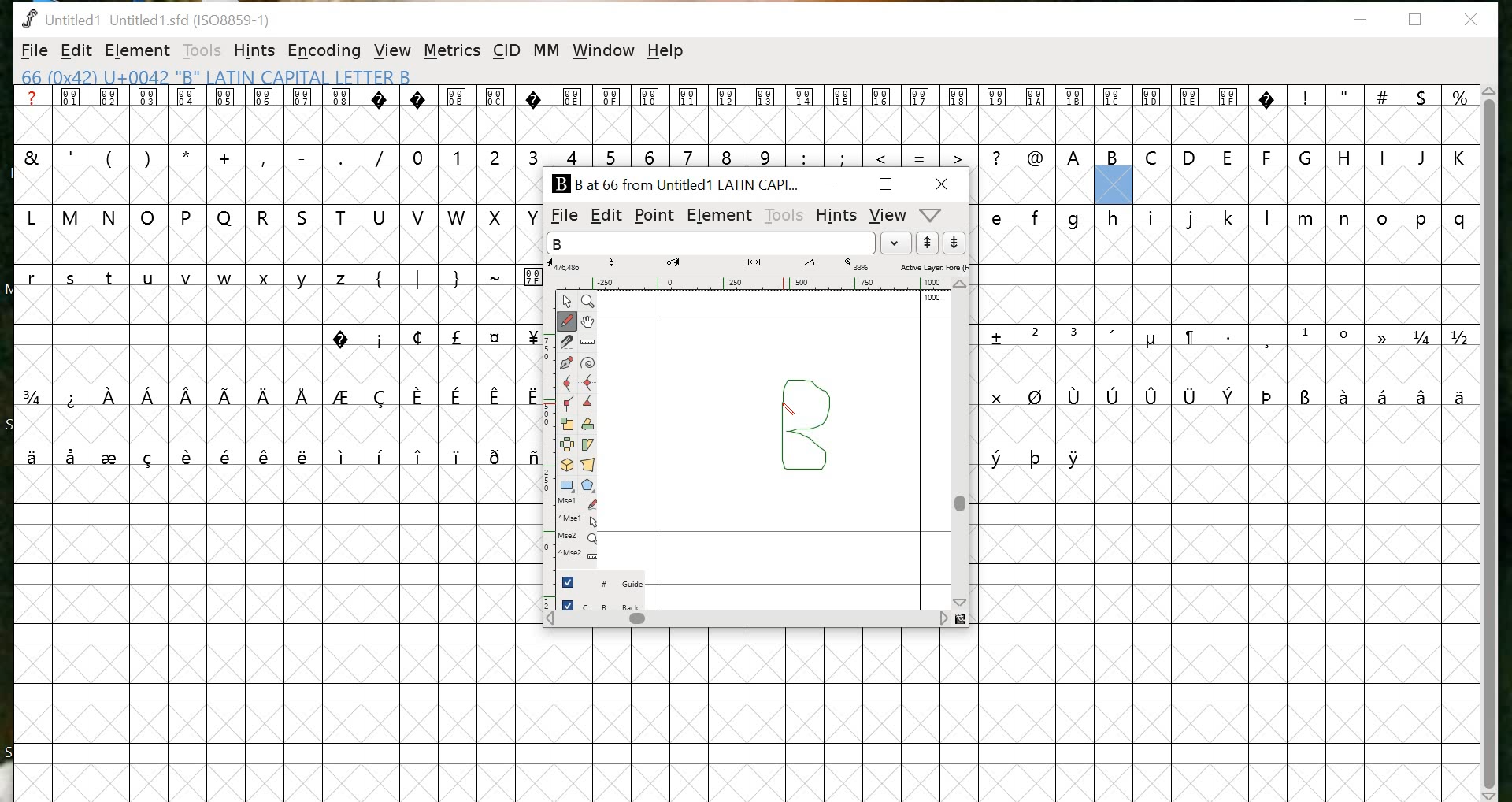 This screenshot has height=802, width=1512. What do you see at coordinates (568, 344) in the screenshot?
I see `Knife` at bounding box center [568, 344].